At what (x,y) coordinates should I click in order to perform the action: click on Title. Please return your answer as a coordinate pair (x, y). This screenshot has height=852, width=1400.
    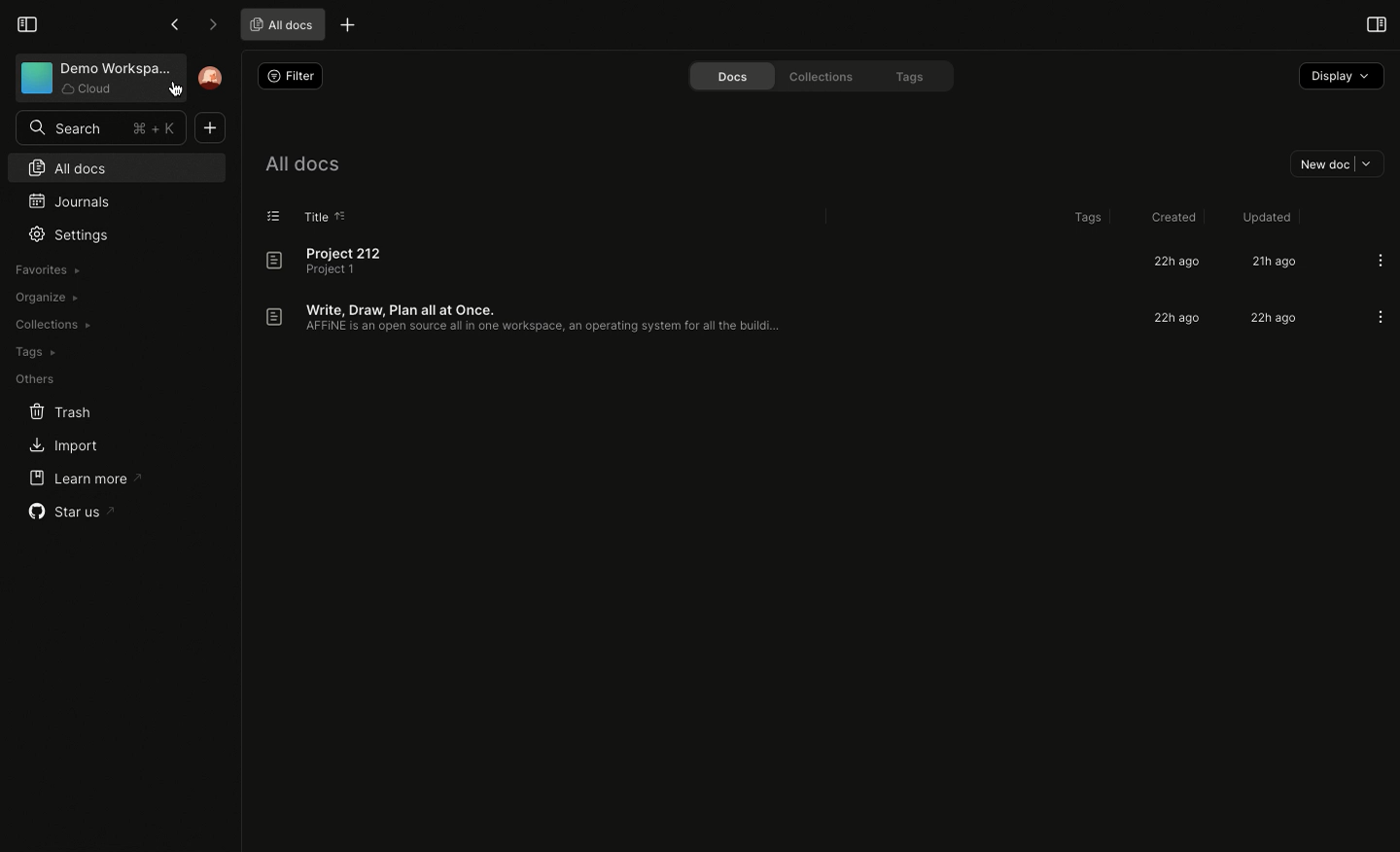
    Looking at the image, I should click on (315, 216).